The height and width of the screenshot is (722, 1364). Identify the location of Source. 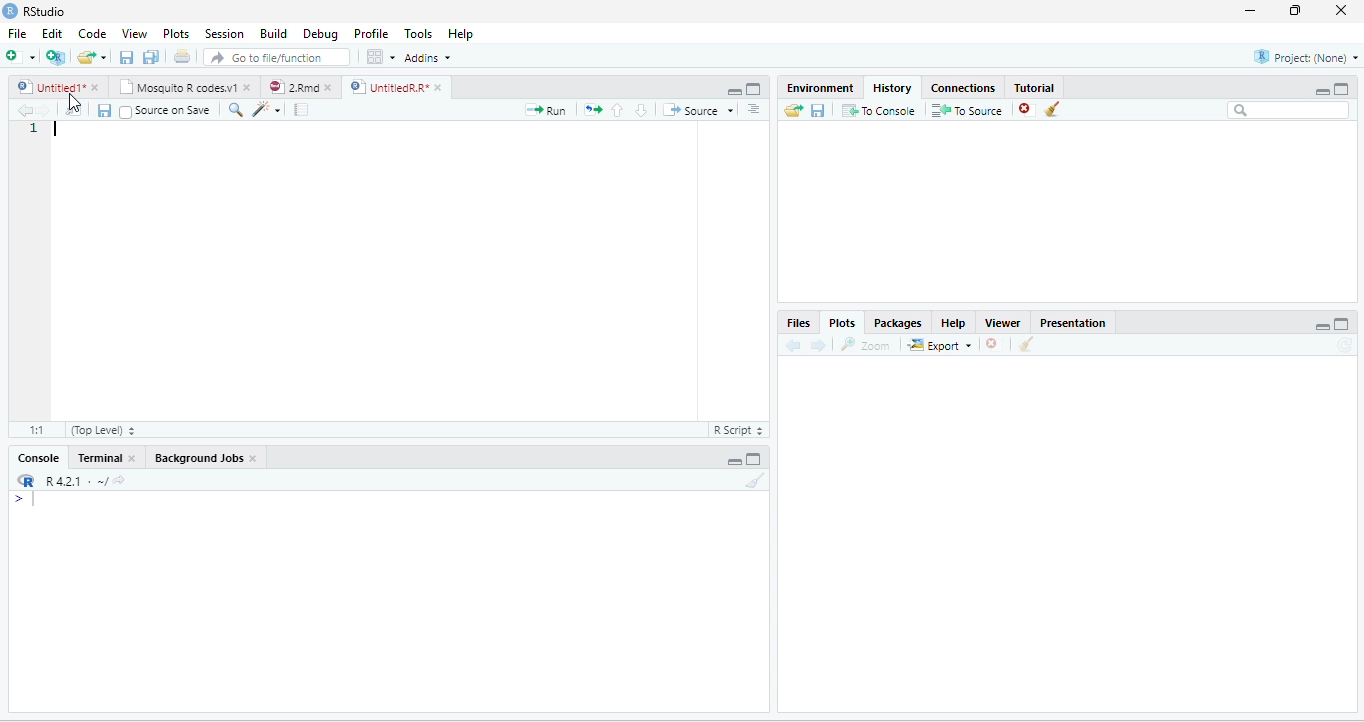
(697, 110).